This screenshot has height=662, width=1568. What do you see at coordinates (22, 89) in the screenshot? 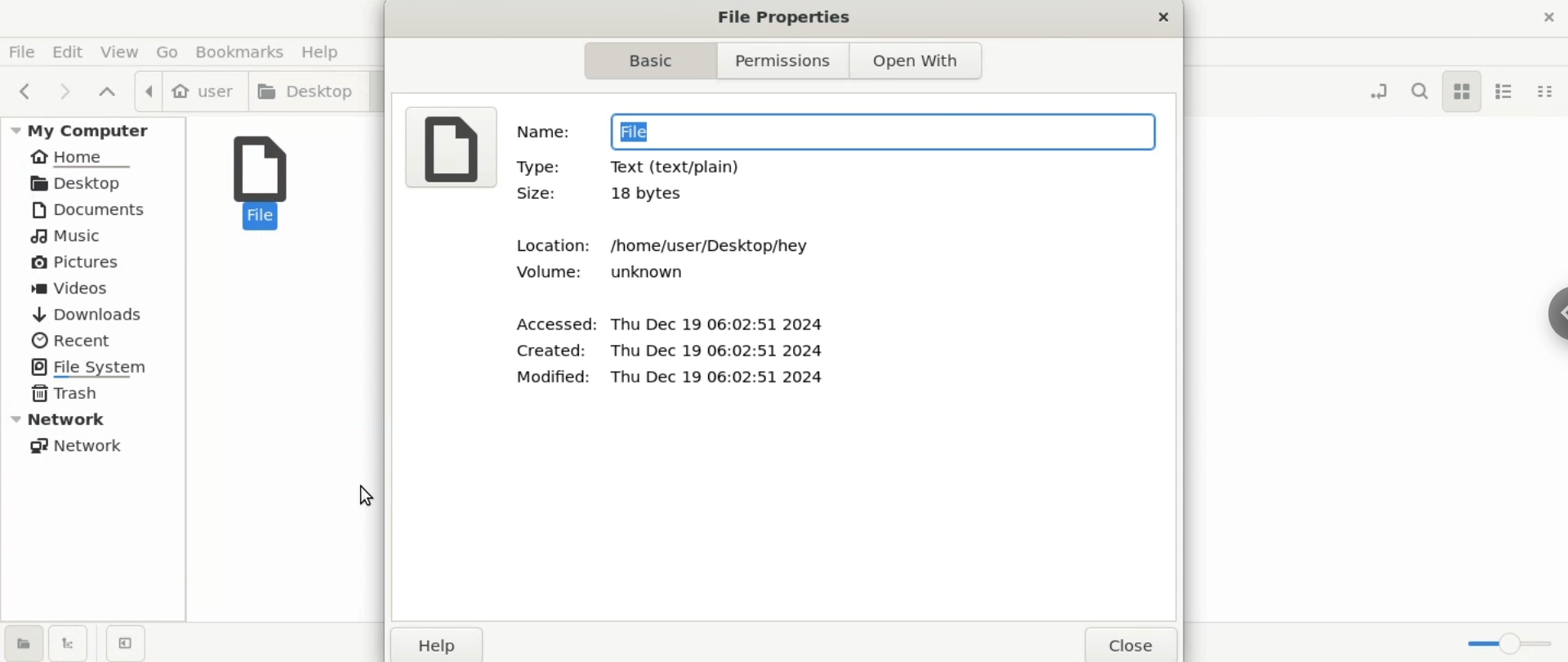
I see `previous` at bounding box center [22, 89].